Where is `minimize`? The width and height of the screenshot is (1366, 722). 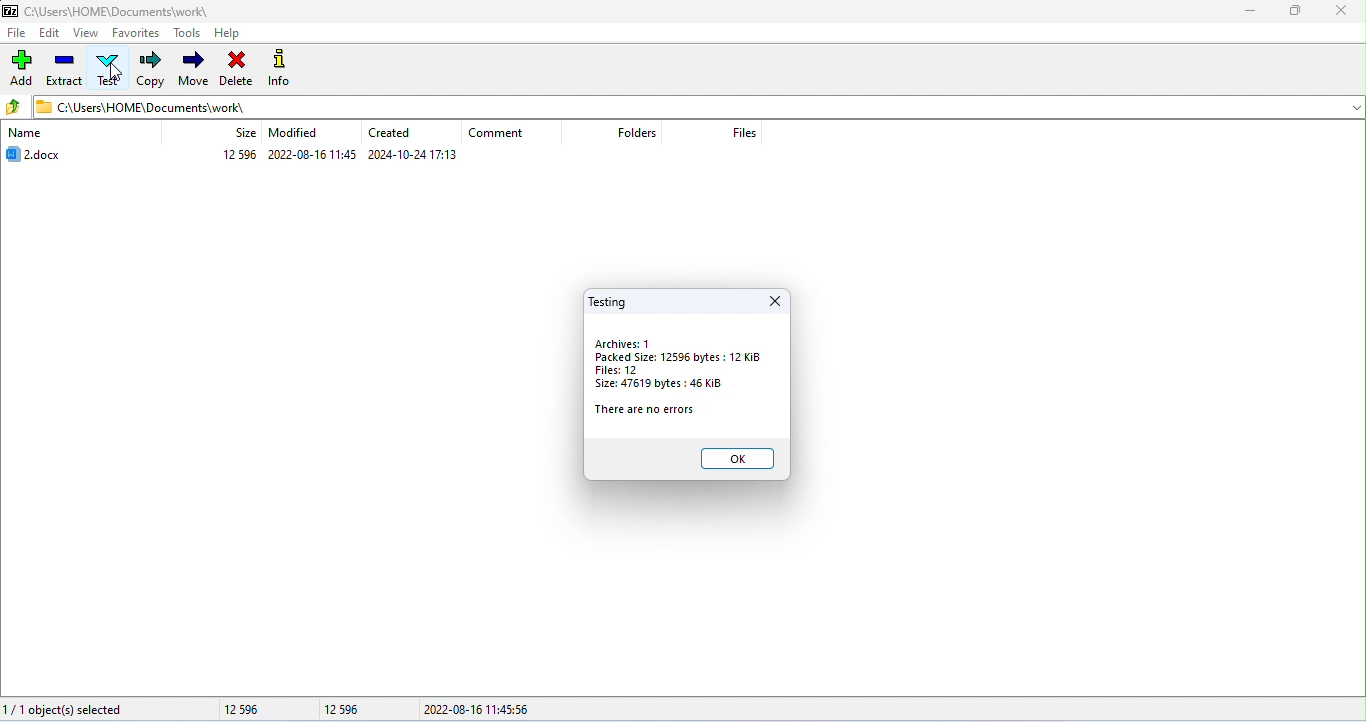
minimize is located at coordinates (1252, 14).